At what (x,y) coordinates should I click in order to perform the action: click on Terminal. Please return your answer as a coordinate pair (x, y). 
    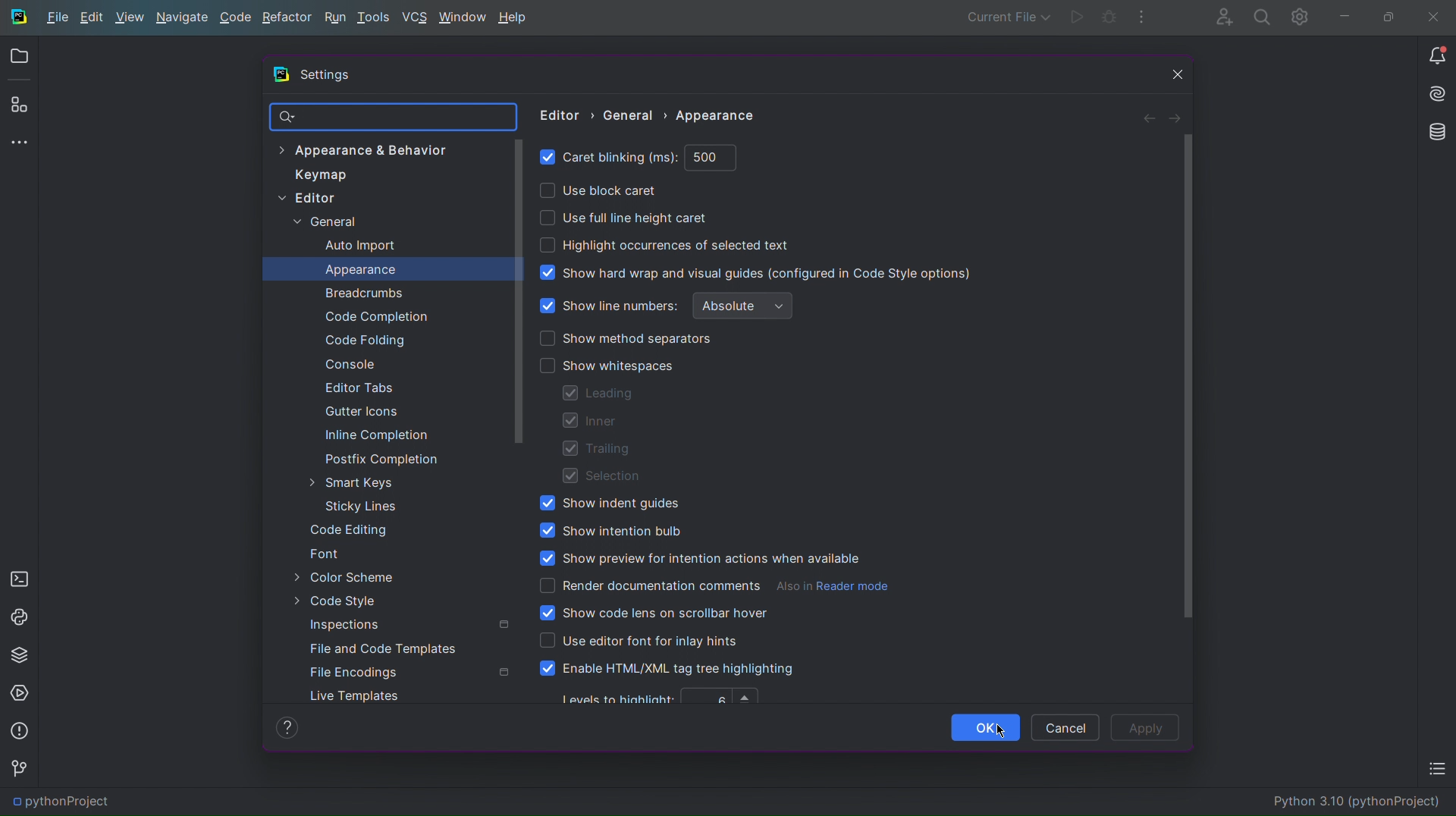
    Looking at the image, I should click on (19, 576).